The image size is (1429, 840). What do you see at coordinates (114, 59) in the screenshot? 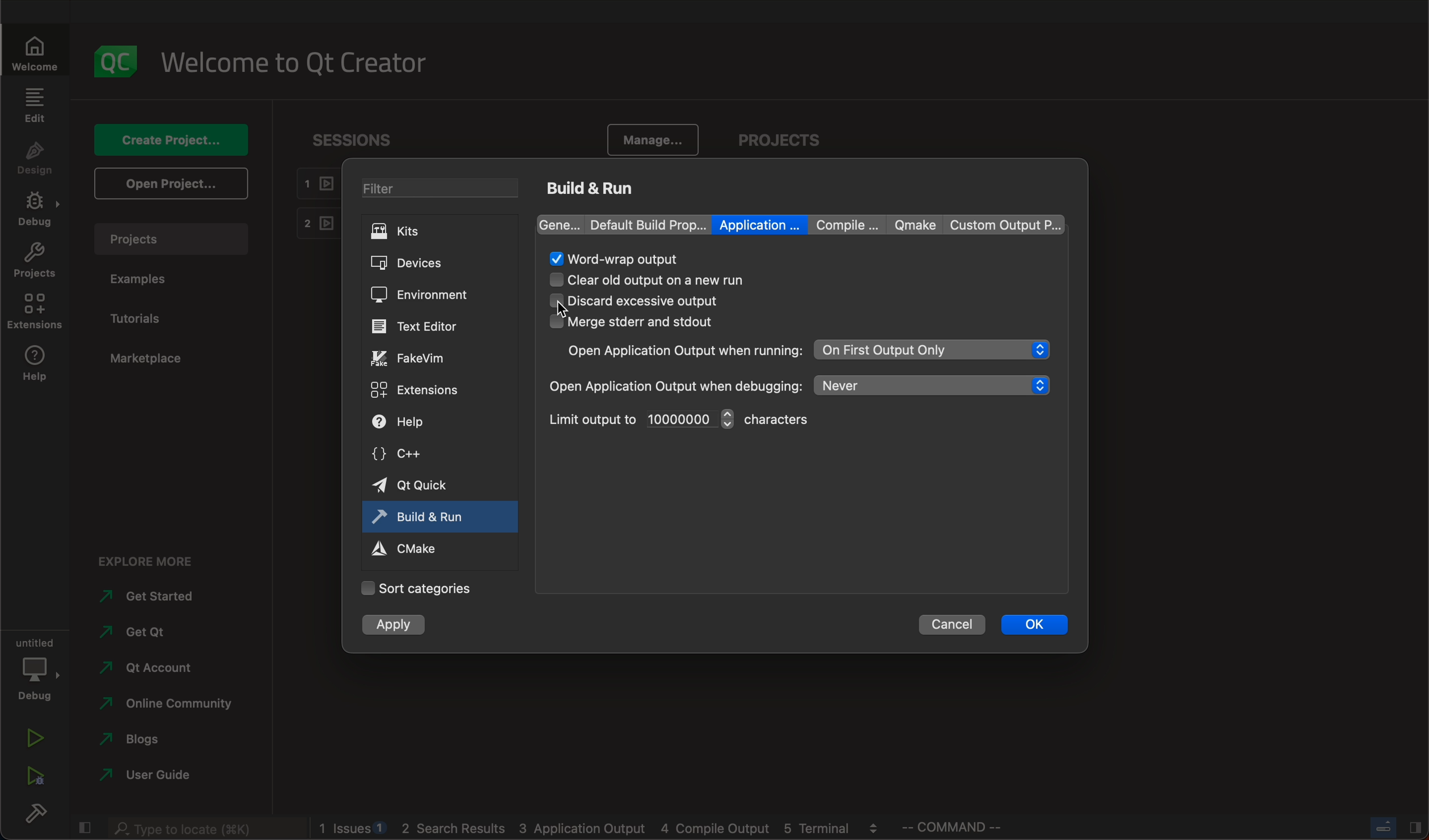
I see `logo` at bounding box center [114, 59].